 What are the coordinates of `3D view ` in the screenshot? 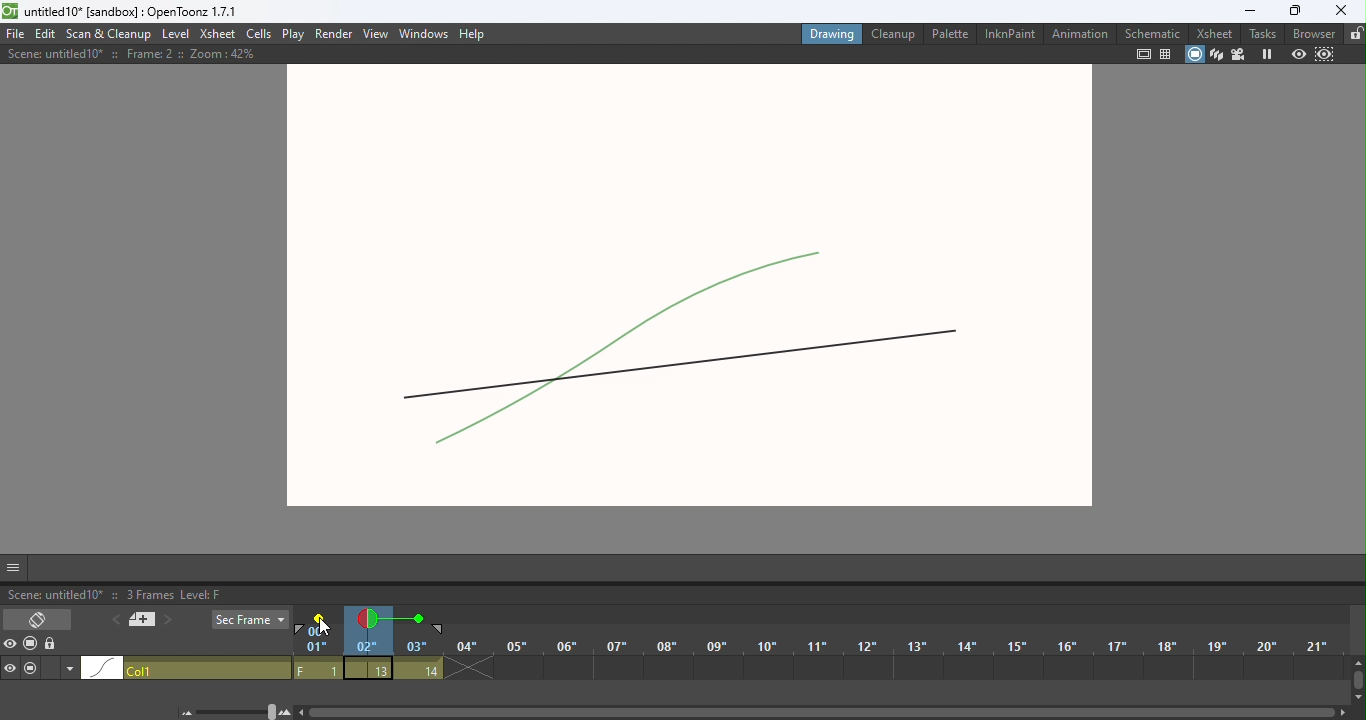 It's located at (1216, 54).